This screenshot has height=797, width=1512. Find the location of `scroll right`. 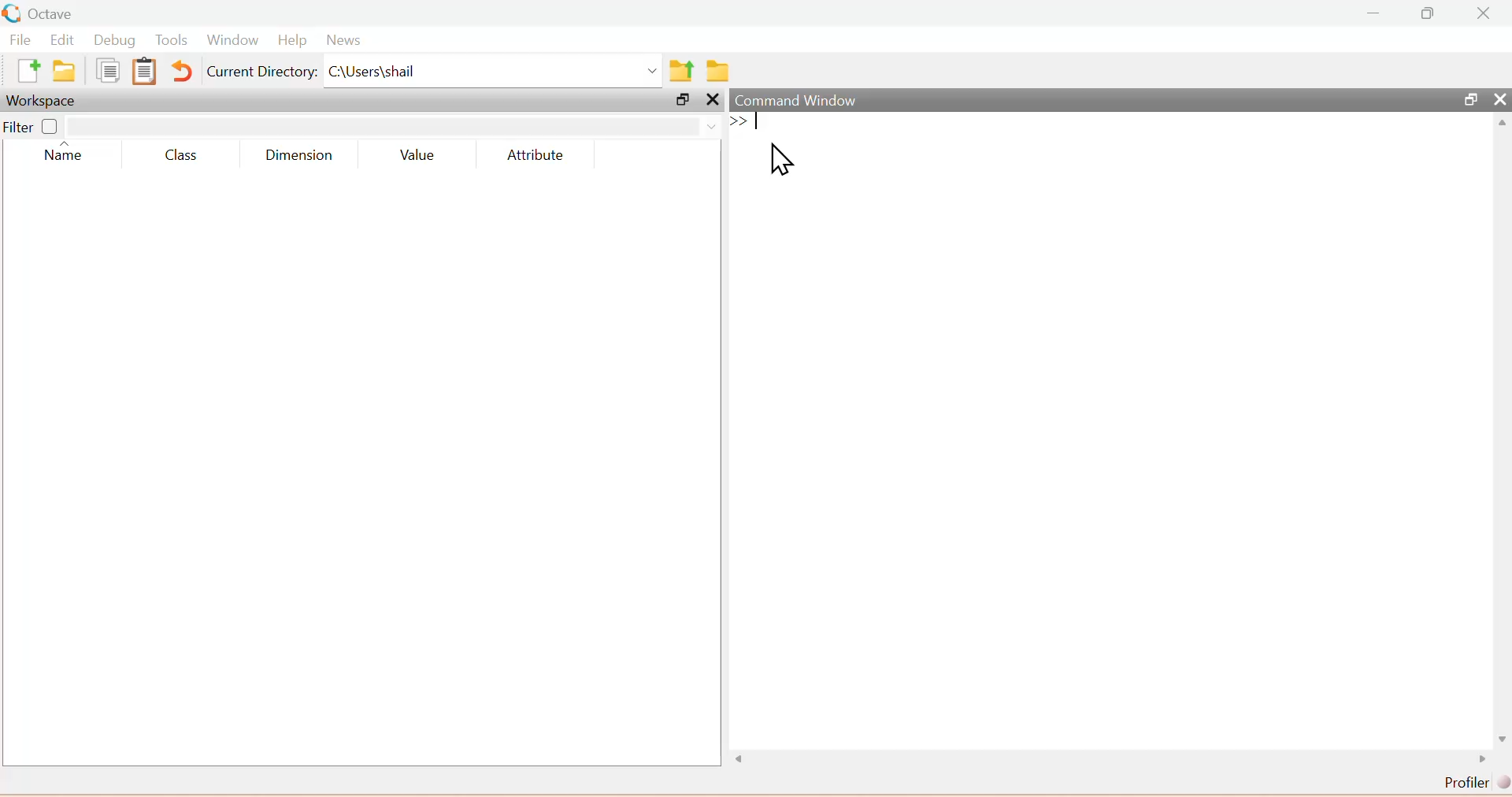

scroll right is located at coordinates (1483, 760).